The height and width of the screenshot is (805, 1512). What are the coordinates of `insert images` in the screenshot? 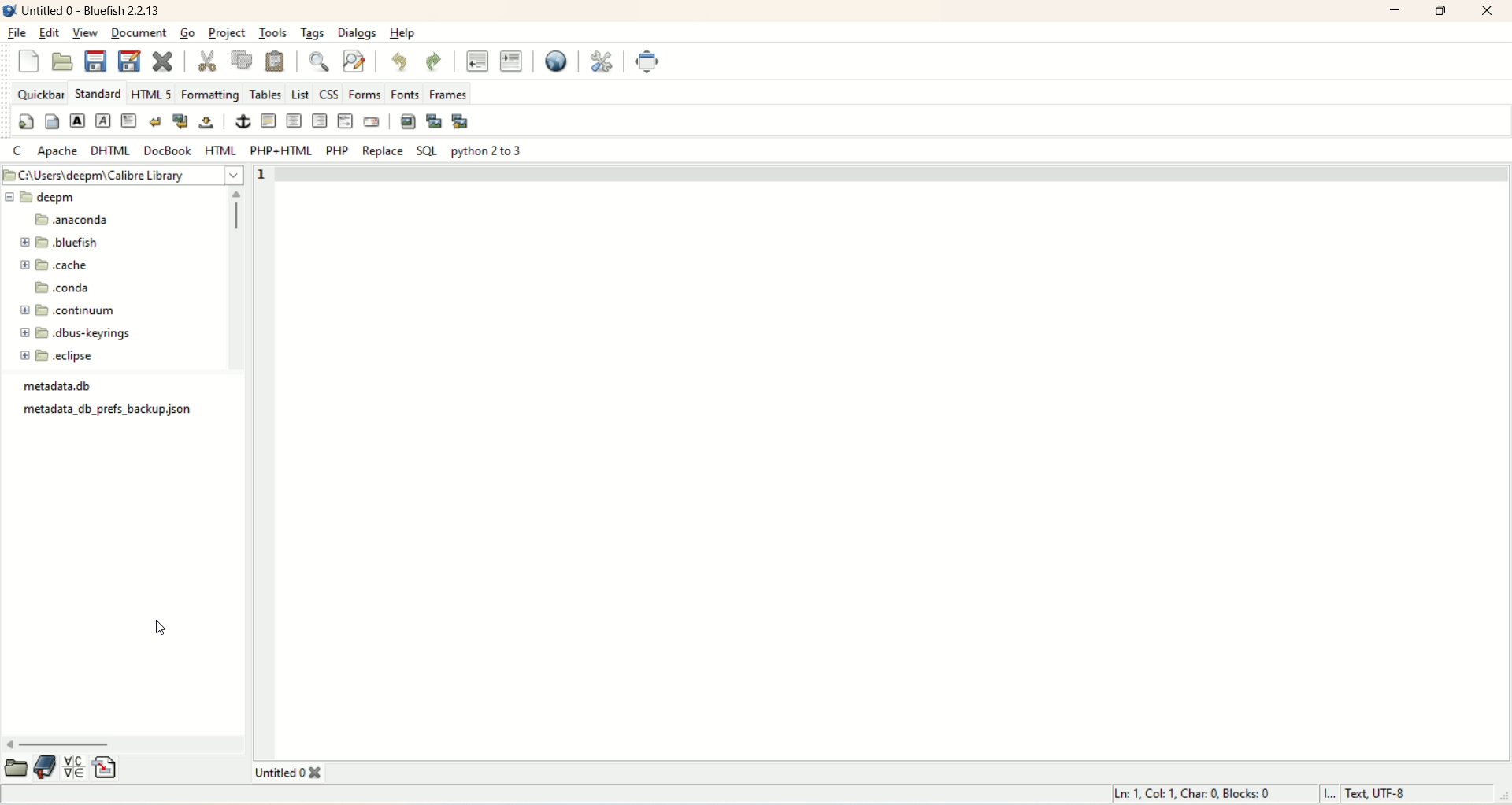 It's located at (407, 121).